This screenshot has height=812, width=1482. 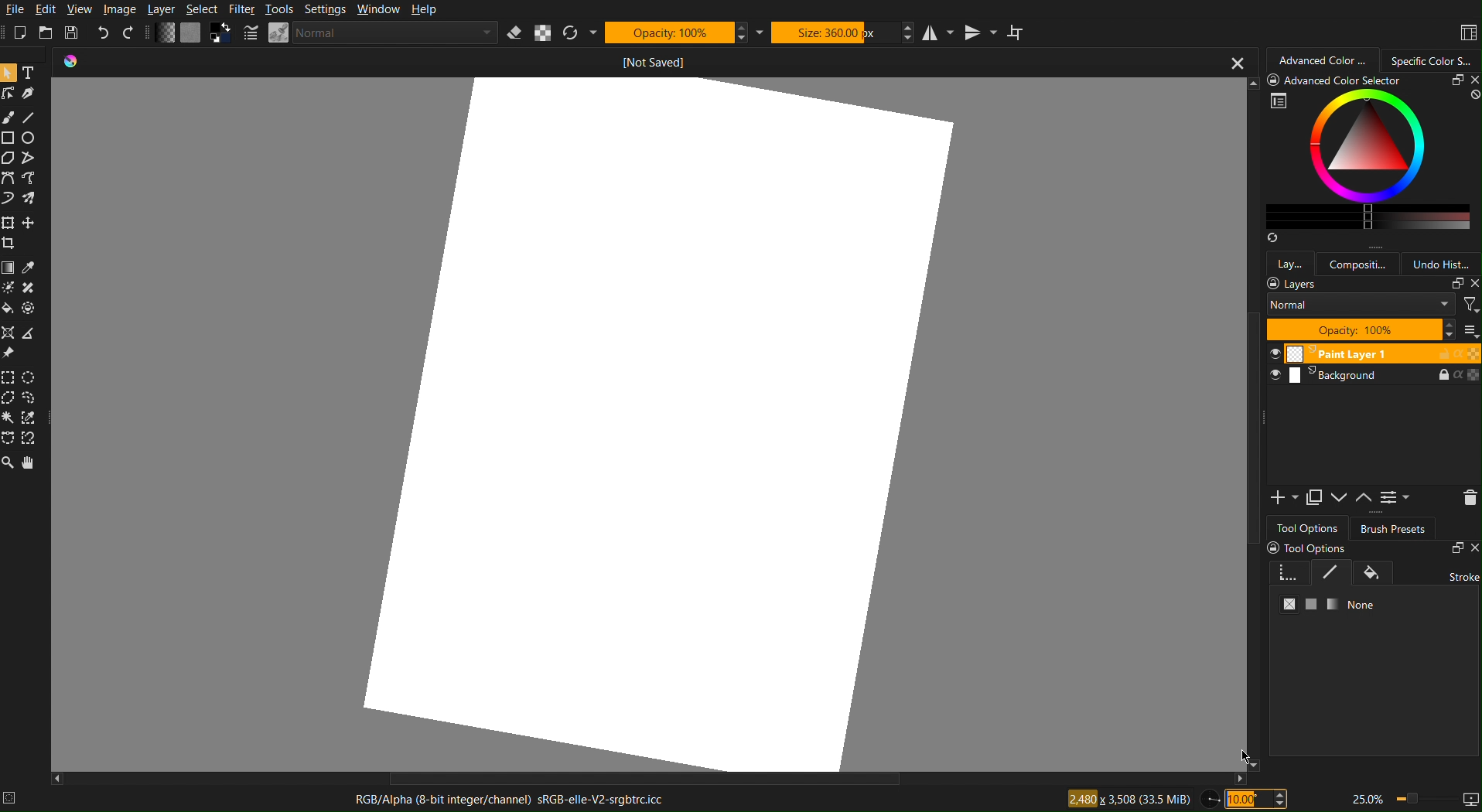 What do you see at coordinates (1360, 263) in the screenshot?
I see `Composition` at bounding box center [1360, 263].